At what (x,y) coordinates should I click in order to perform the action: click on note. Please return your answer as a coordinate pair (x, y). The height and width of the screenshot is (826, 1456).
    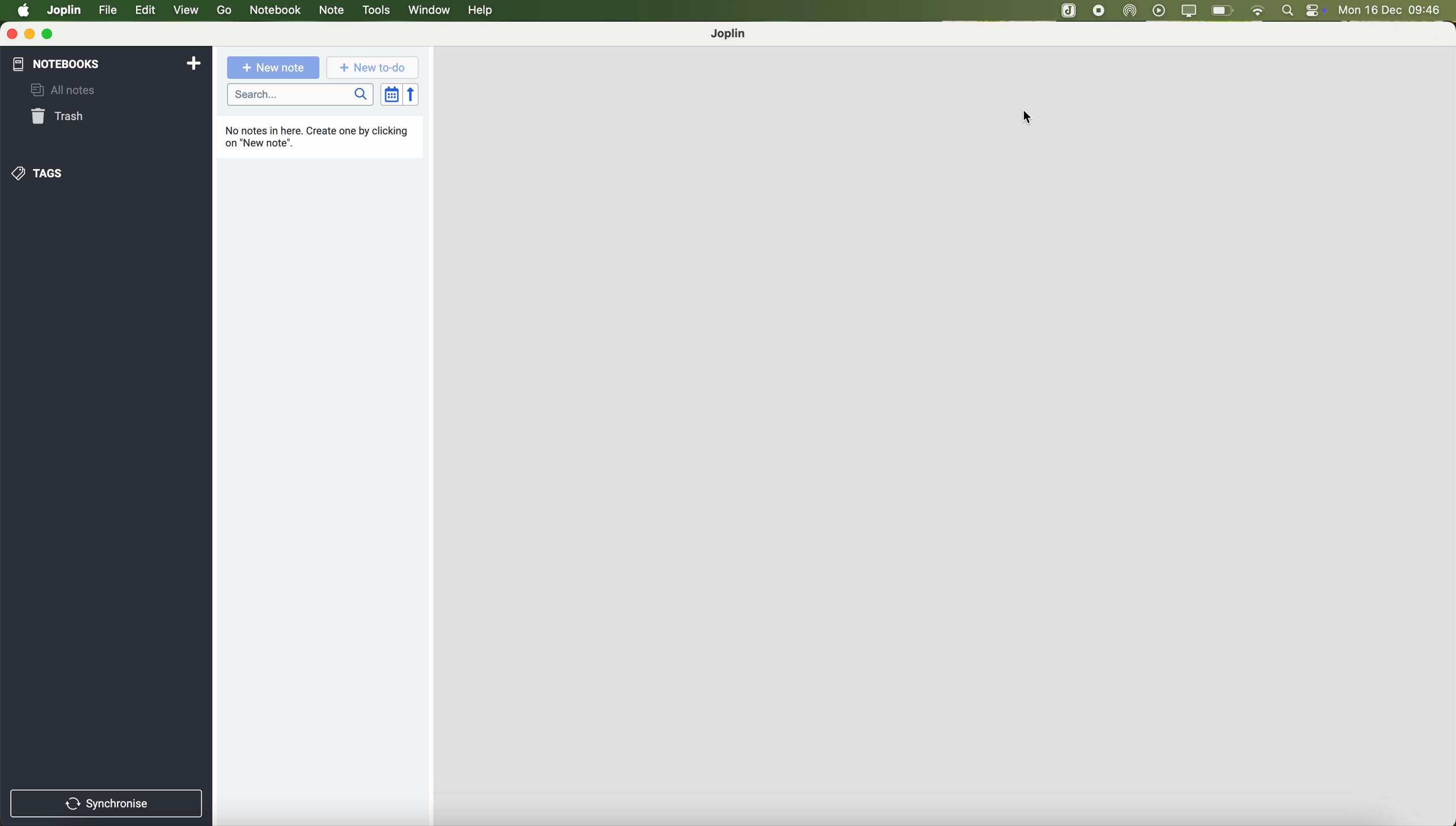
    Looking at the image, I should click on (333, 11).